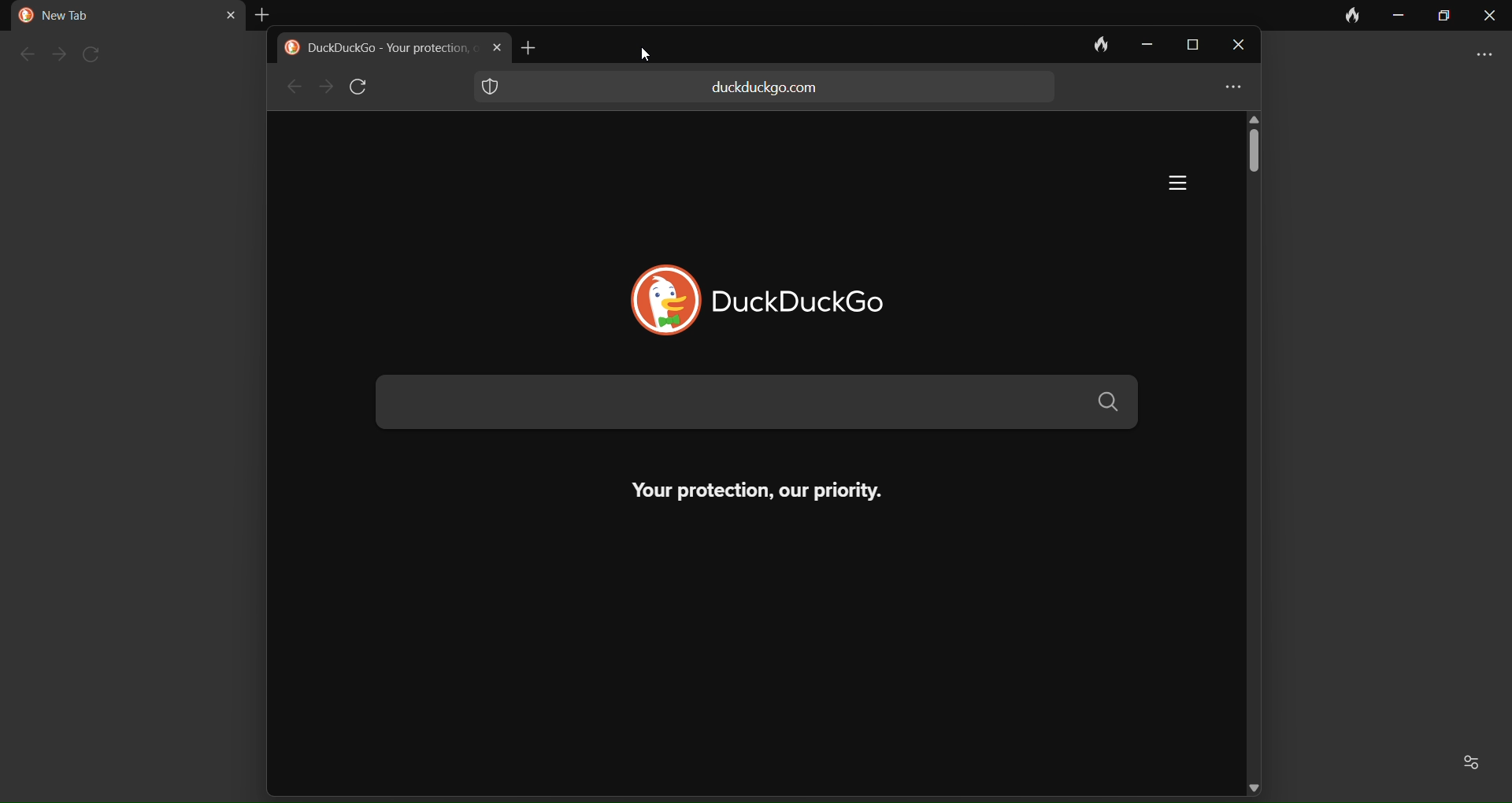  Describe the element at coordinates (1142, 45) in the screenshot. I see `minimize` at that location.